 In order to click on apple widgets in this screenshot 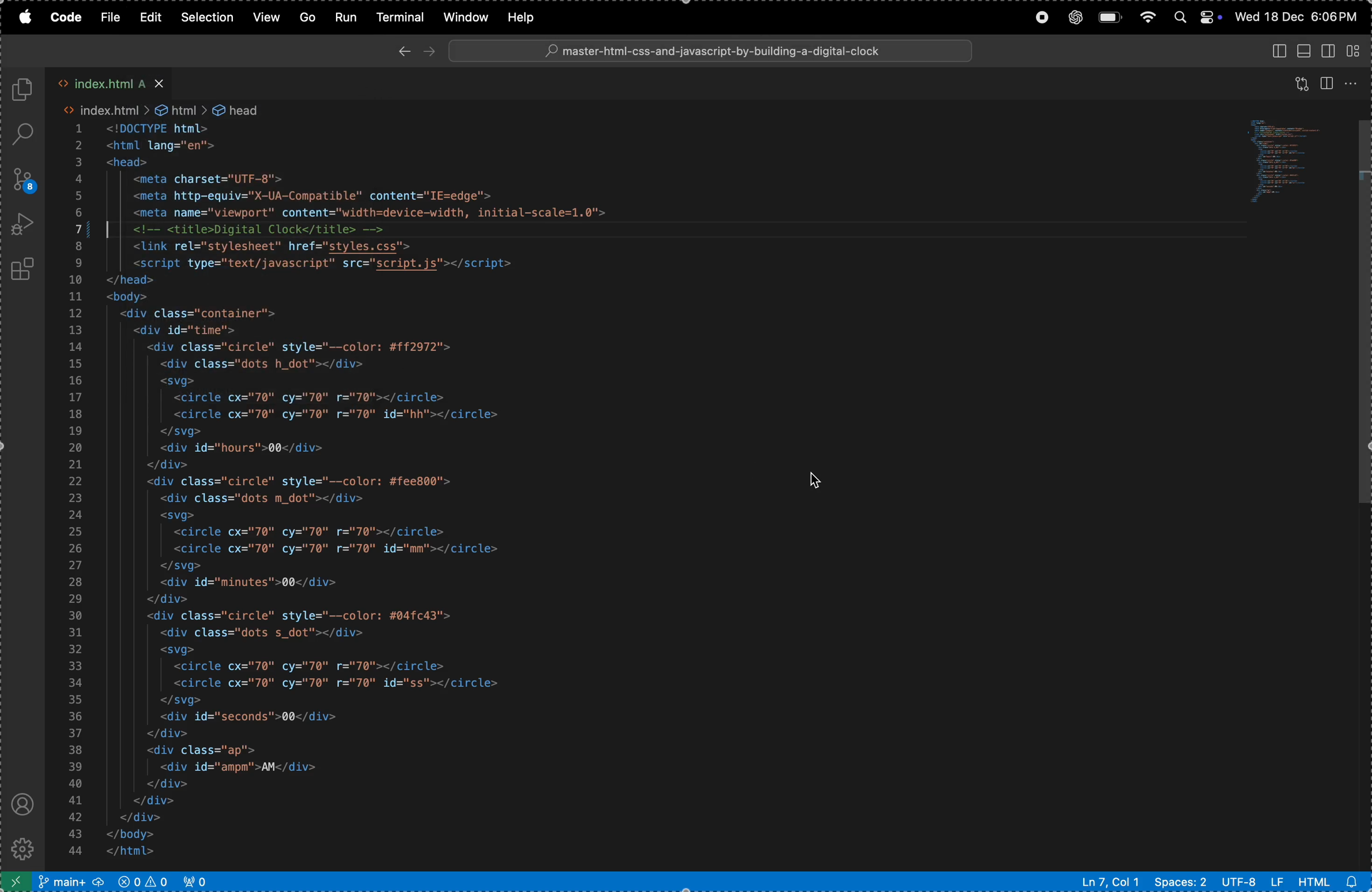, I will do `click(1195, 18)`.